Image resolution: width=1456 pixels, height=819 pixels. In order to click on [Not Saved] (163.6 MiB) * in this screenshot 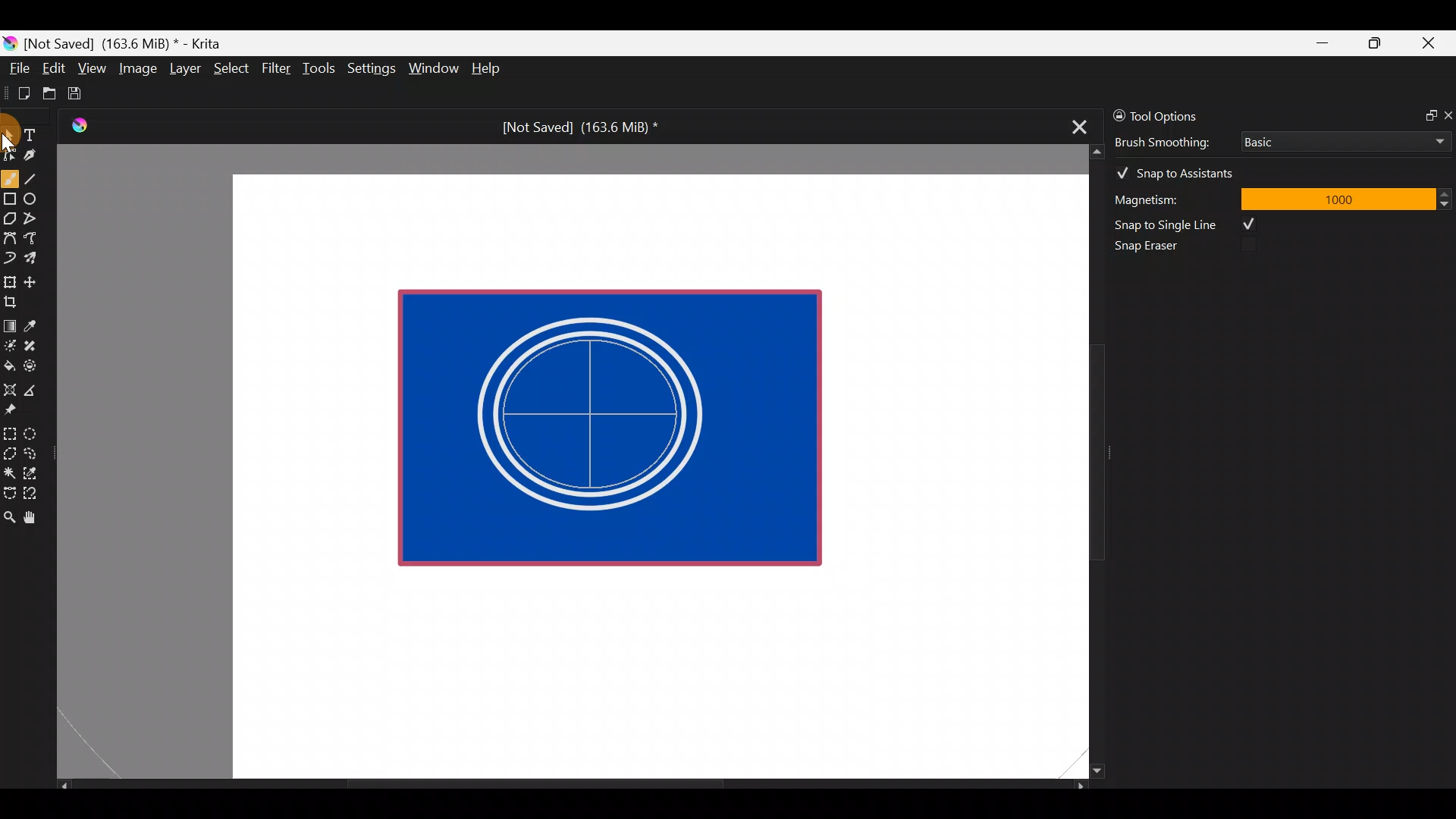, I will do `click(574, 127)`.